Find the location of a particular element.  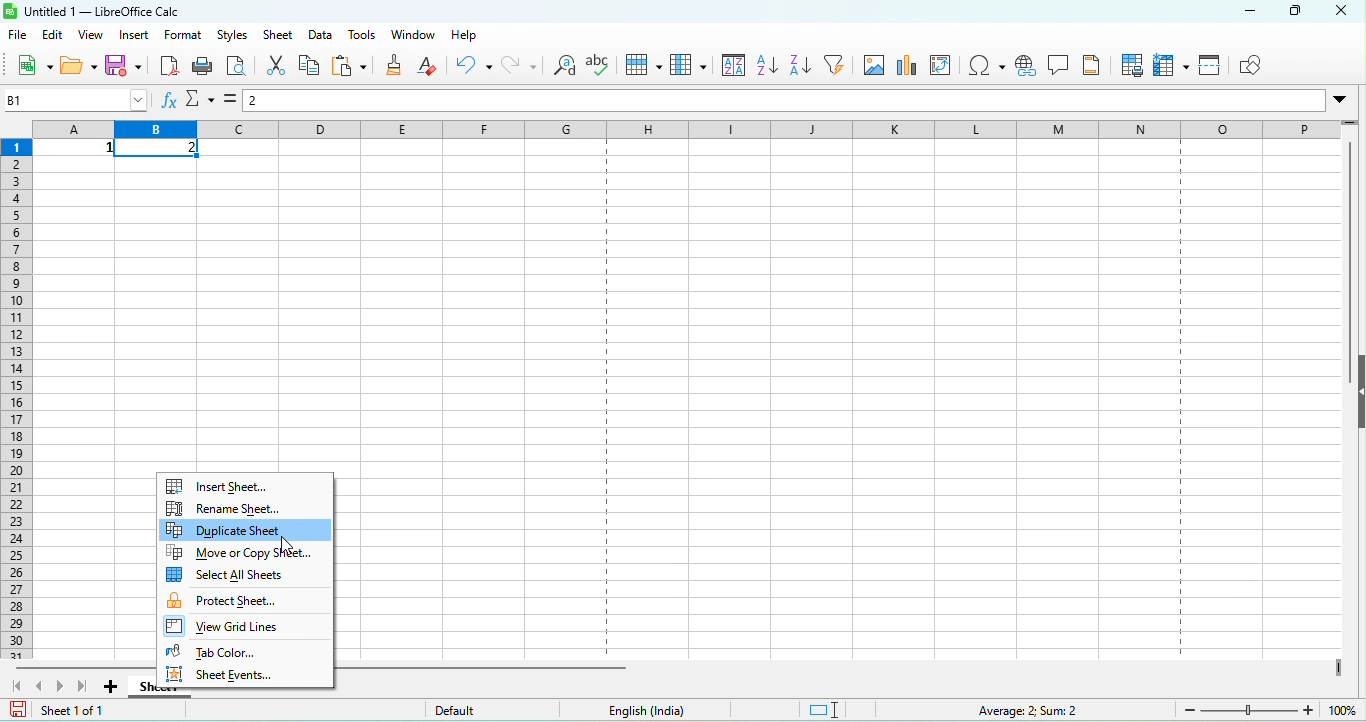

redo is located at coordinates (523, 68).